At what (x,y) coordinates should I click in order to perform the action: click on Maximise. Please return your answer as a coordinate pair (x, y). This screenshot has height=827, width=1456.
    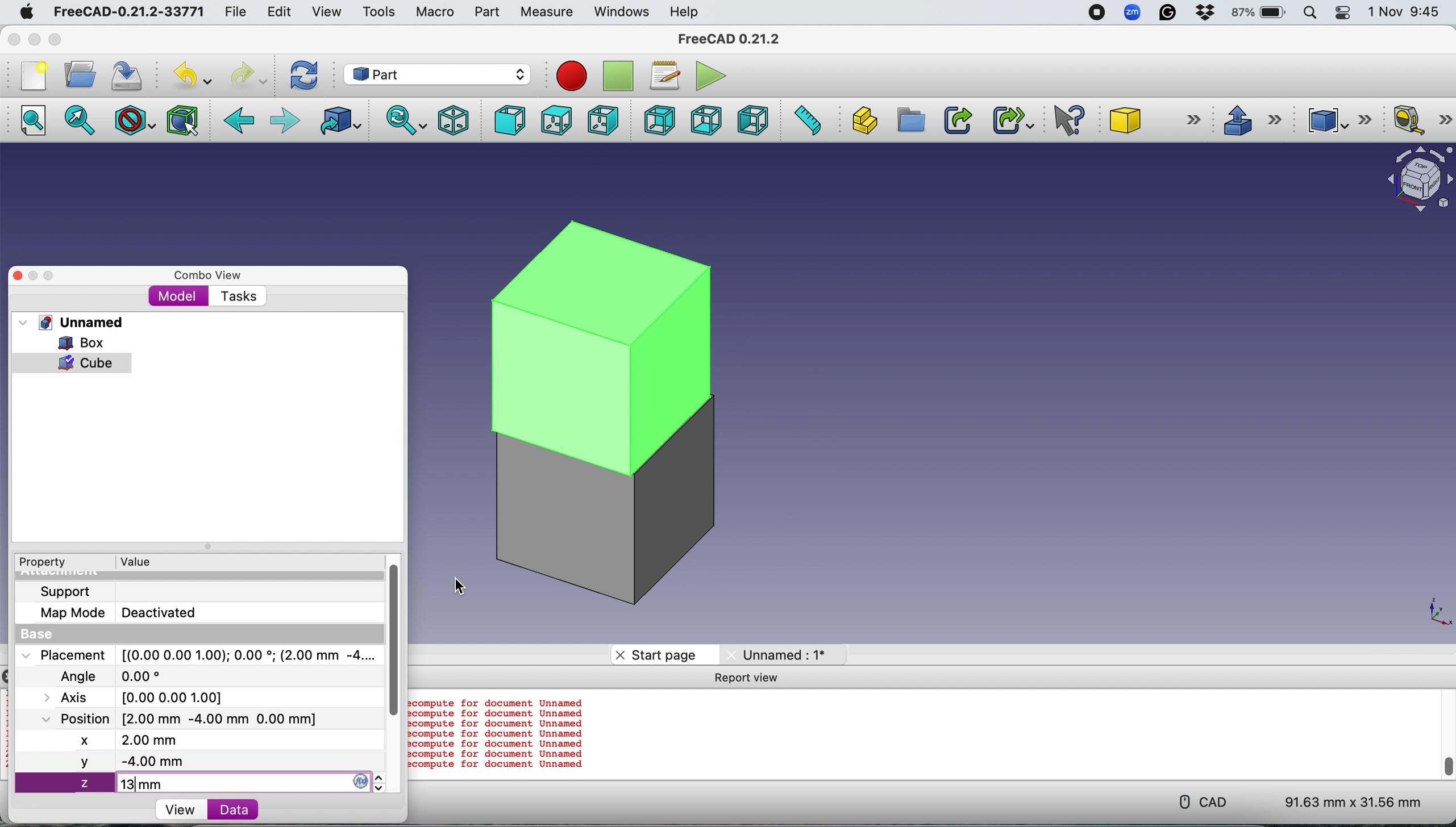
    Looking at the image, I should click on (56, 40).